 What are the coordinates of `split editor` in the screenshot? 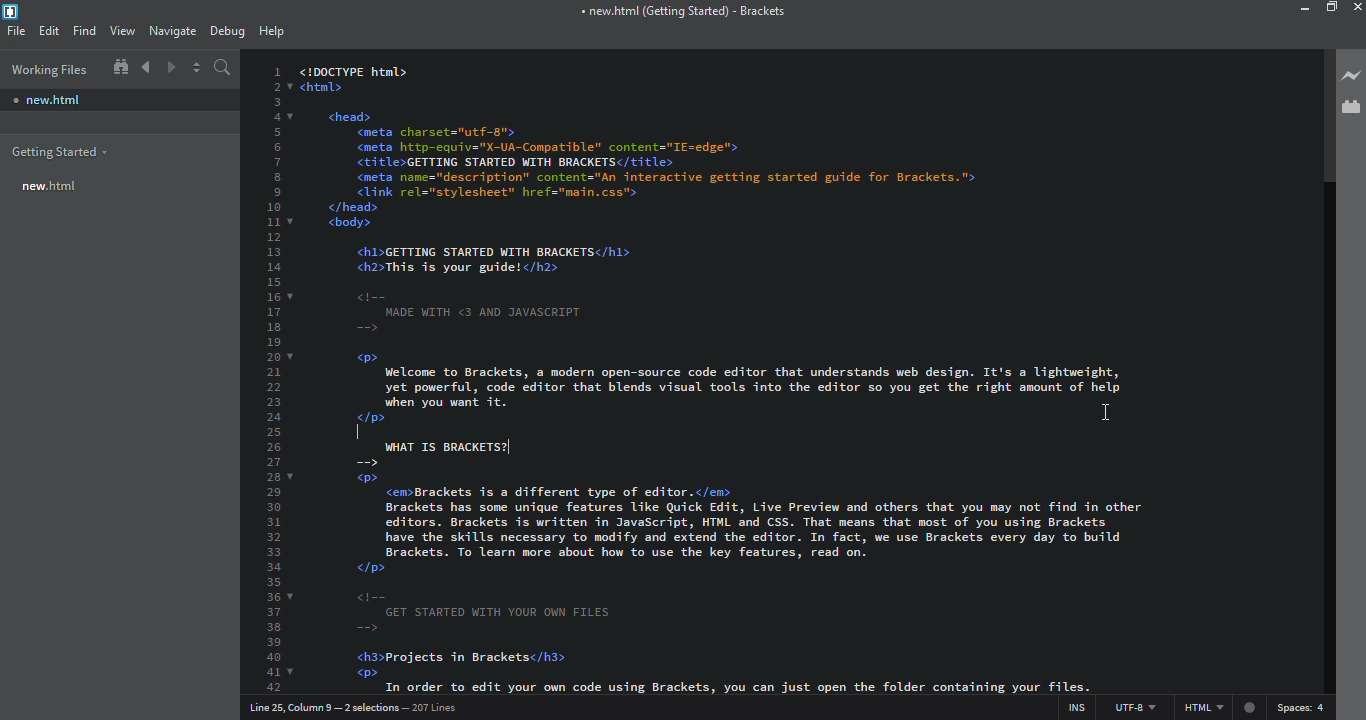 It's located at (197, 68).